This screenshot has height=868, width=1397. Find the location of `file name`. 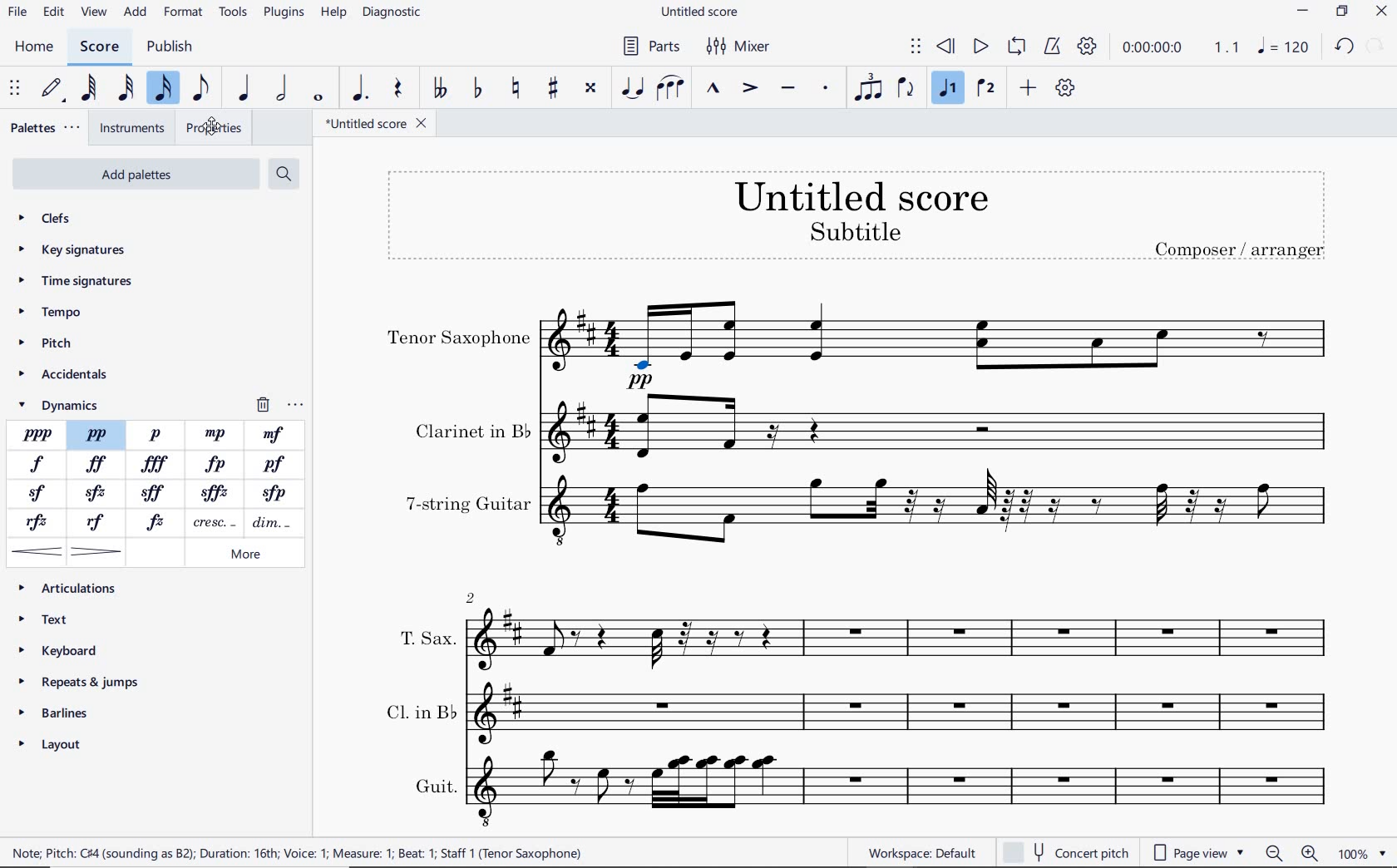

file name is located at coordinates (378, 124).